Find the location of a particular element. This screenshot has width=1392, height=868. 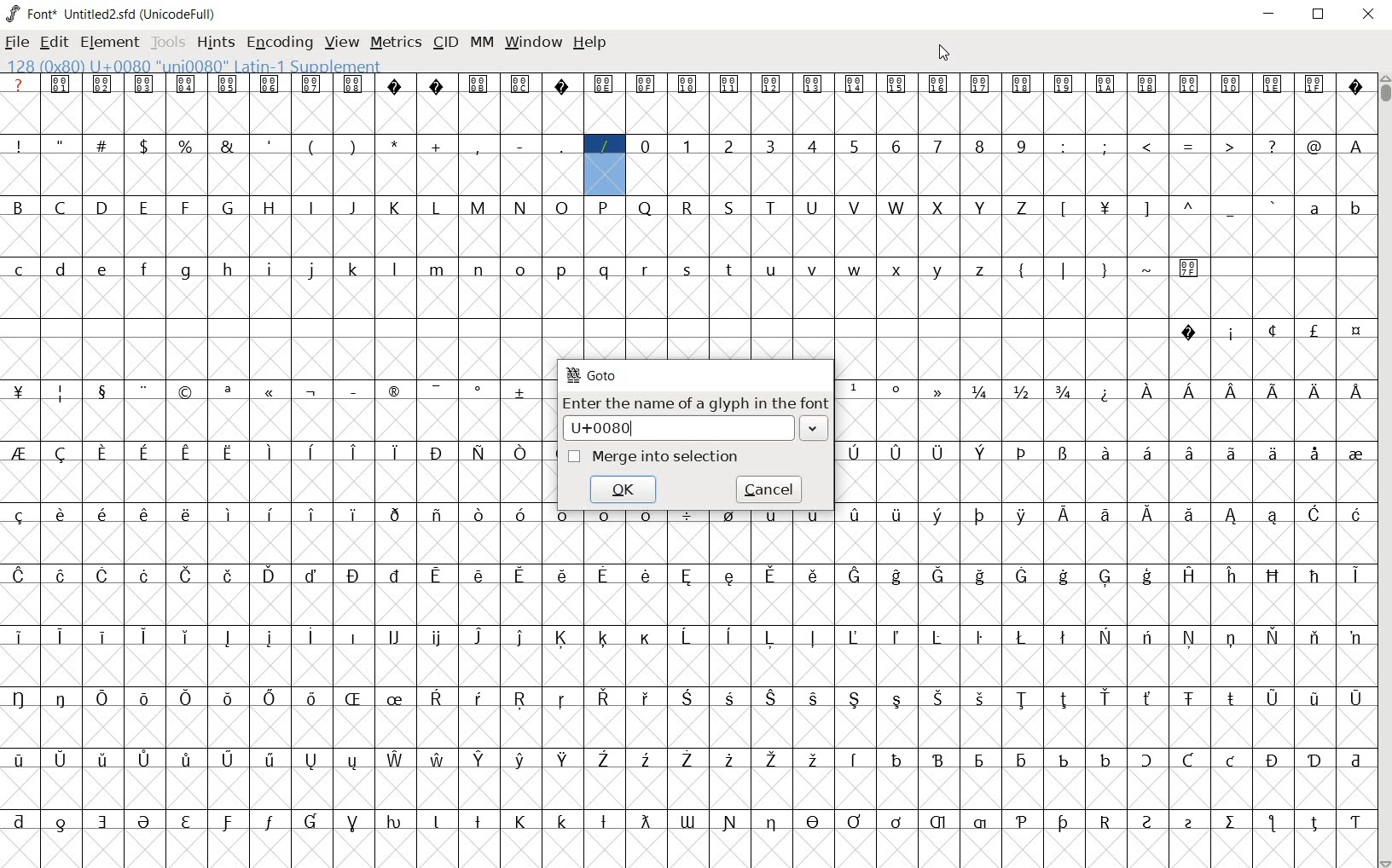

glyph is located at coordinates (61, 759).